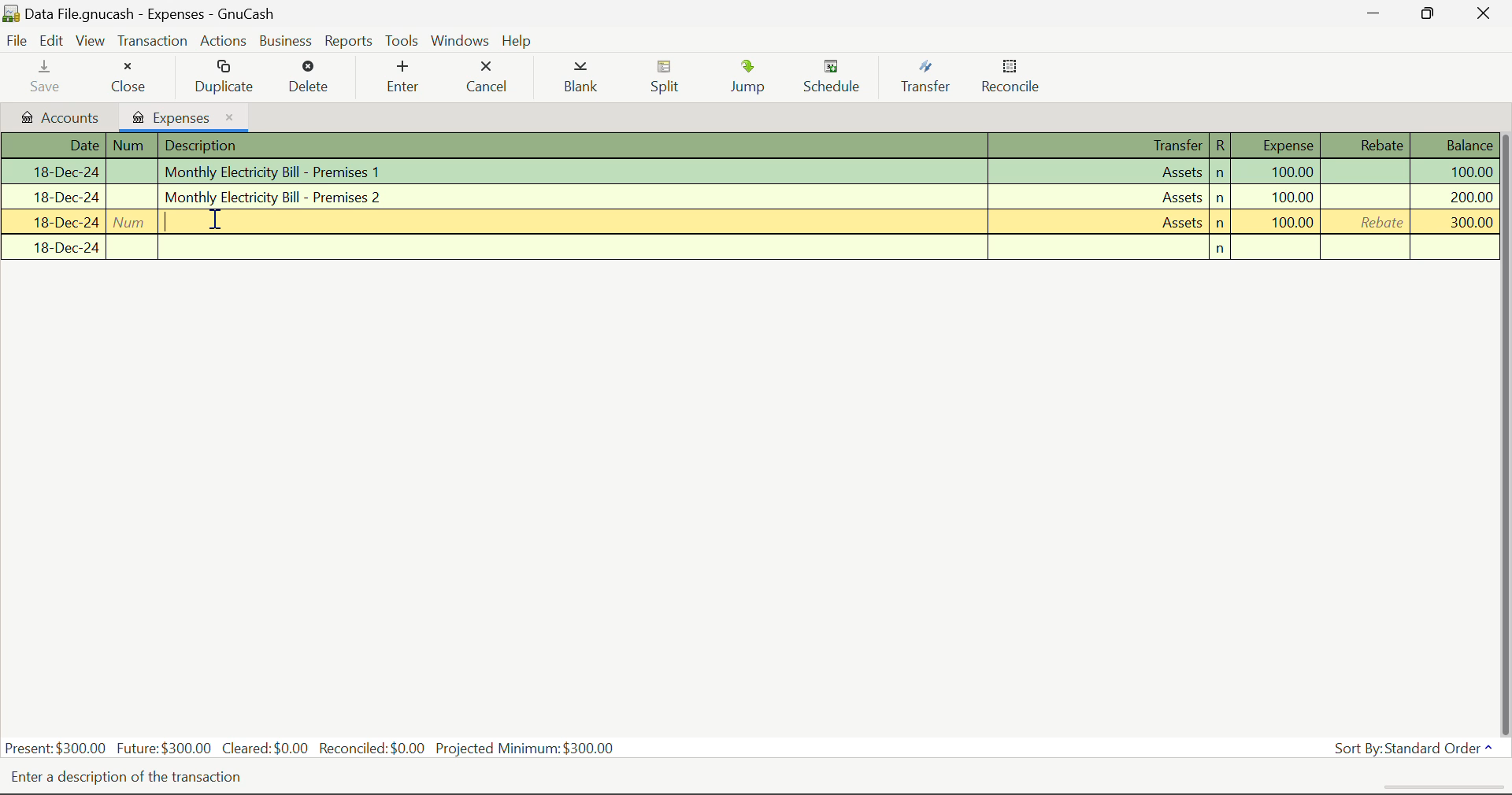  Describe the element at coordinates (1017, 79) in the screenshot. I see `Reconcile` at that location.